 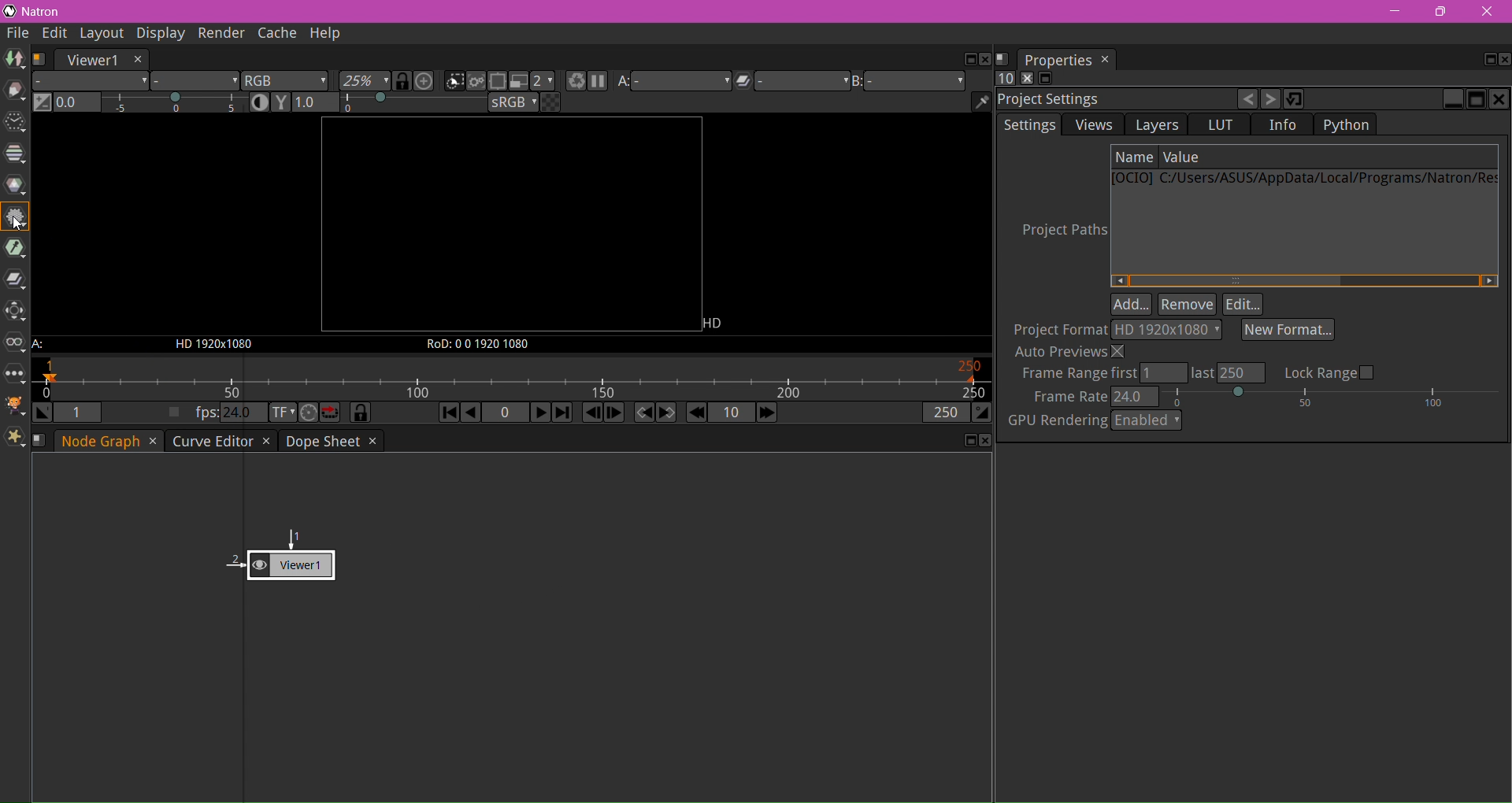 I want to click on The playback out point, so click(x=944, y=415).